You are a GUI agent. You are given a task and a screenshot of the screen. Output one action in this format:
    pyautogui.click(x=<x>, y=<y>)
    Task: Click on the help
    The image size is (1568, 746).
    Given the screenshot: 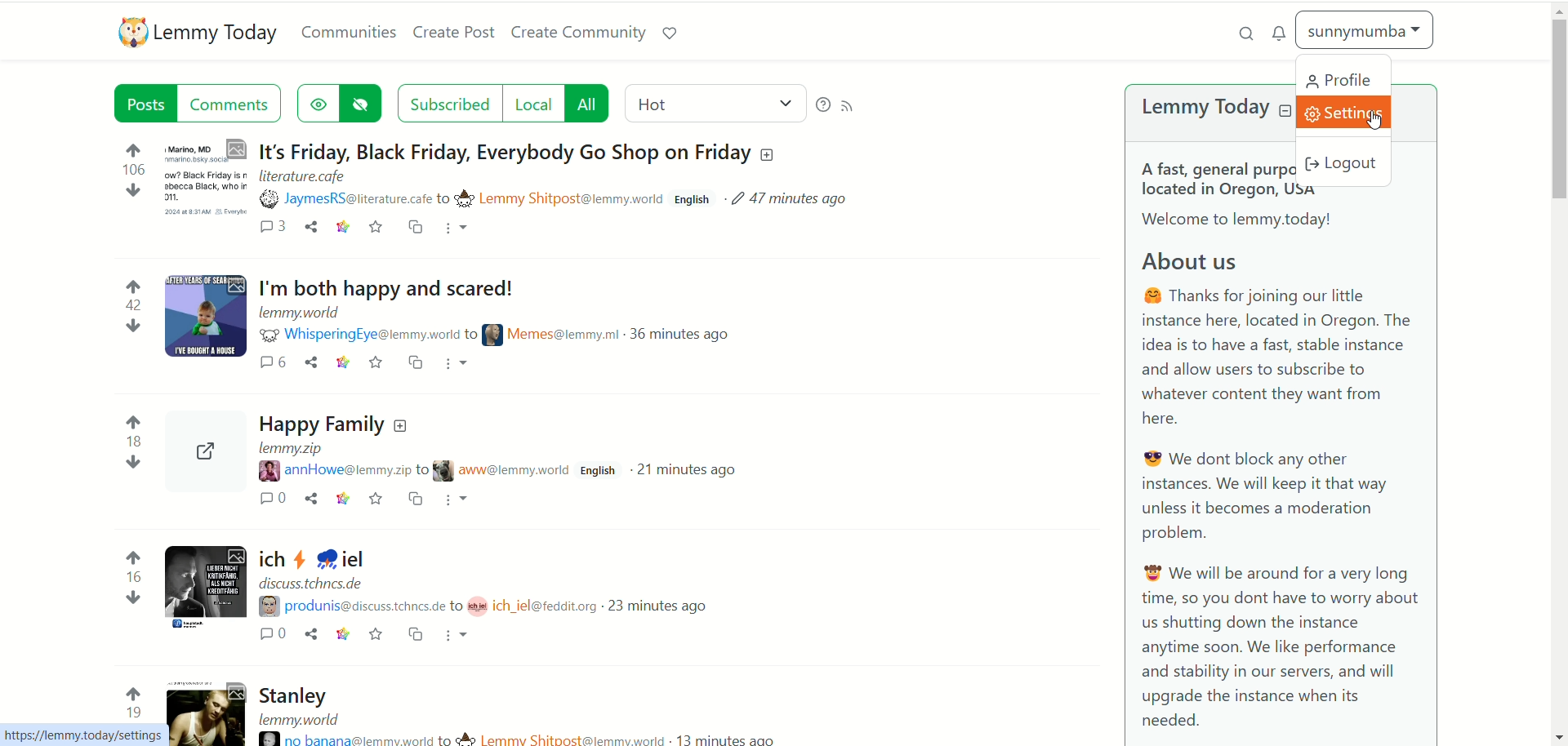 What is the action you would take?
    pyautogui.click(x=822, y=103)
    